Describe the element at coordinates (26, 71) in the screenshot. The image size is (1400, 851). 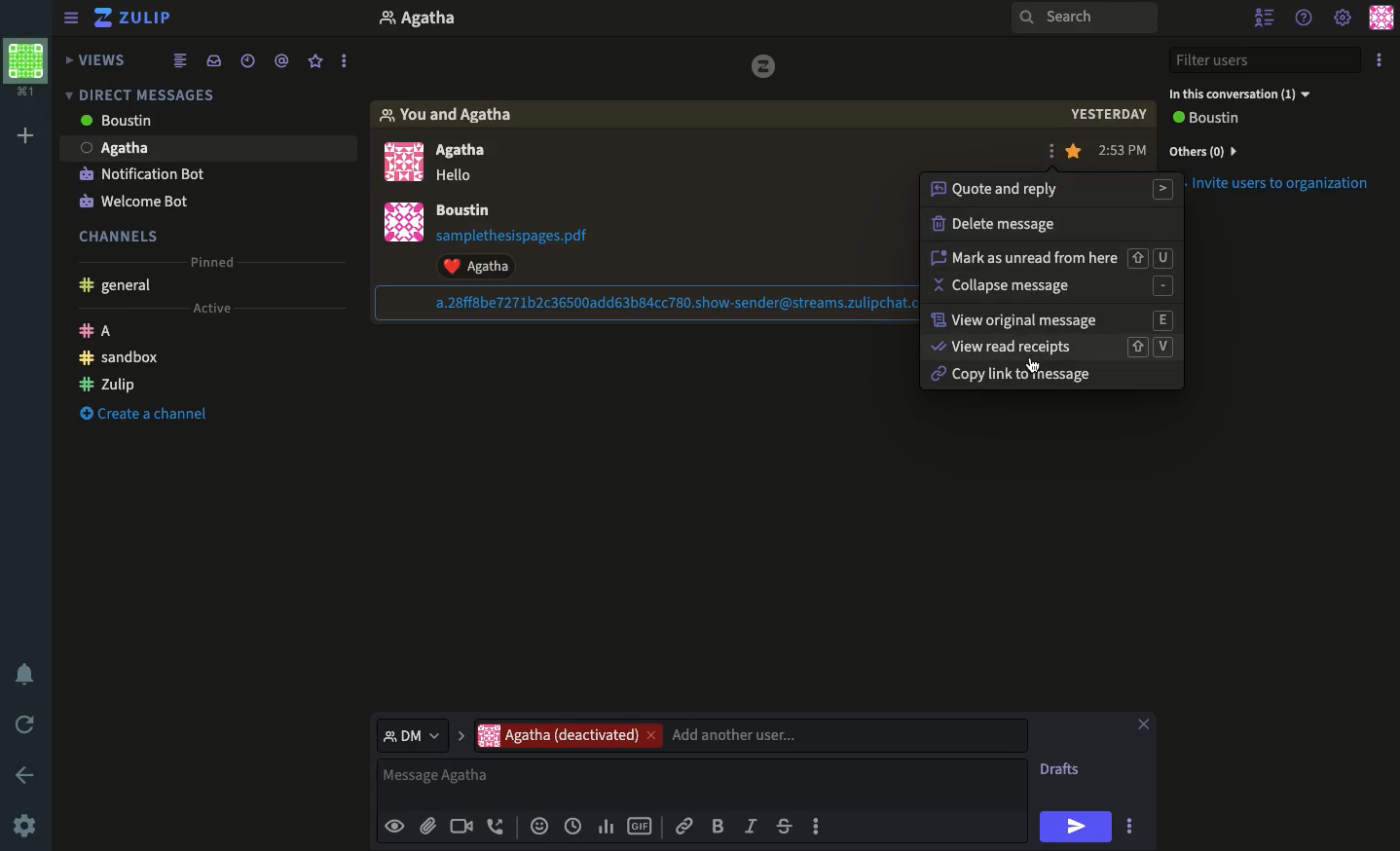
I see `Profile` at that location.